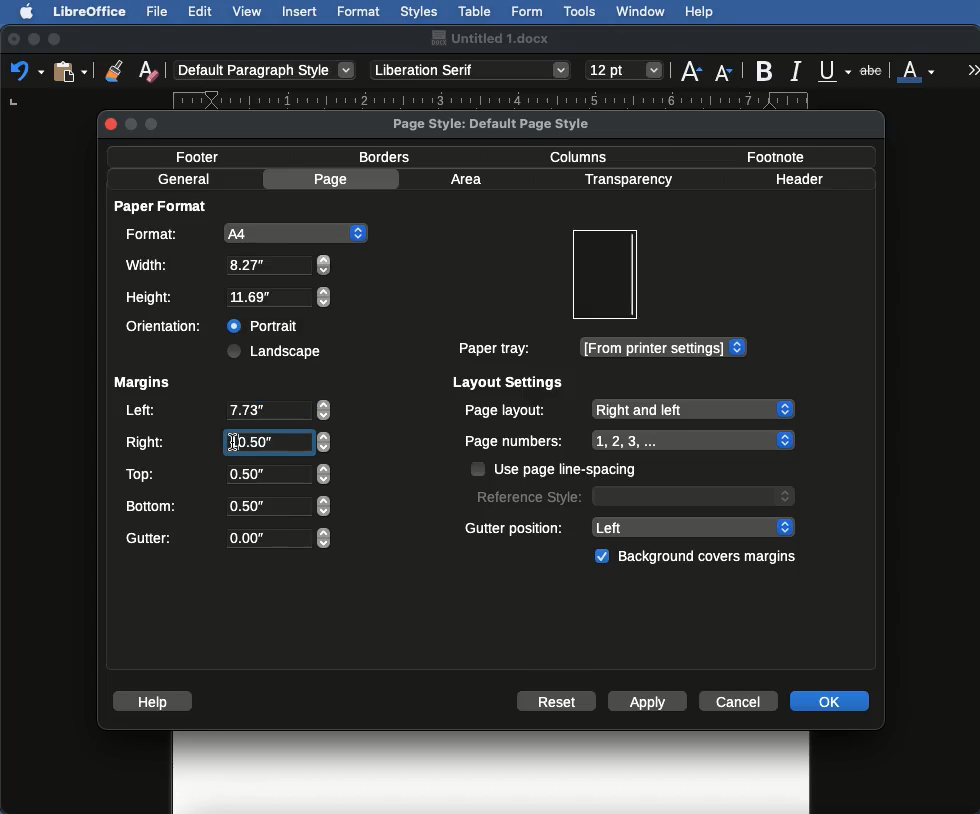 The image size is (980, 814). I want to click on Page layout, so click(628, 409).